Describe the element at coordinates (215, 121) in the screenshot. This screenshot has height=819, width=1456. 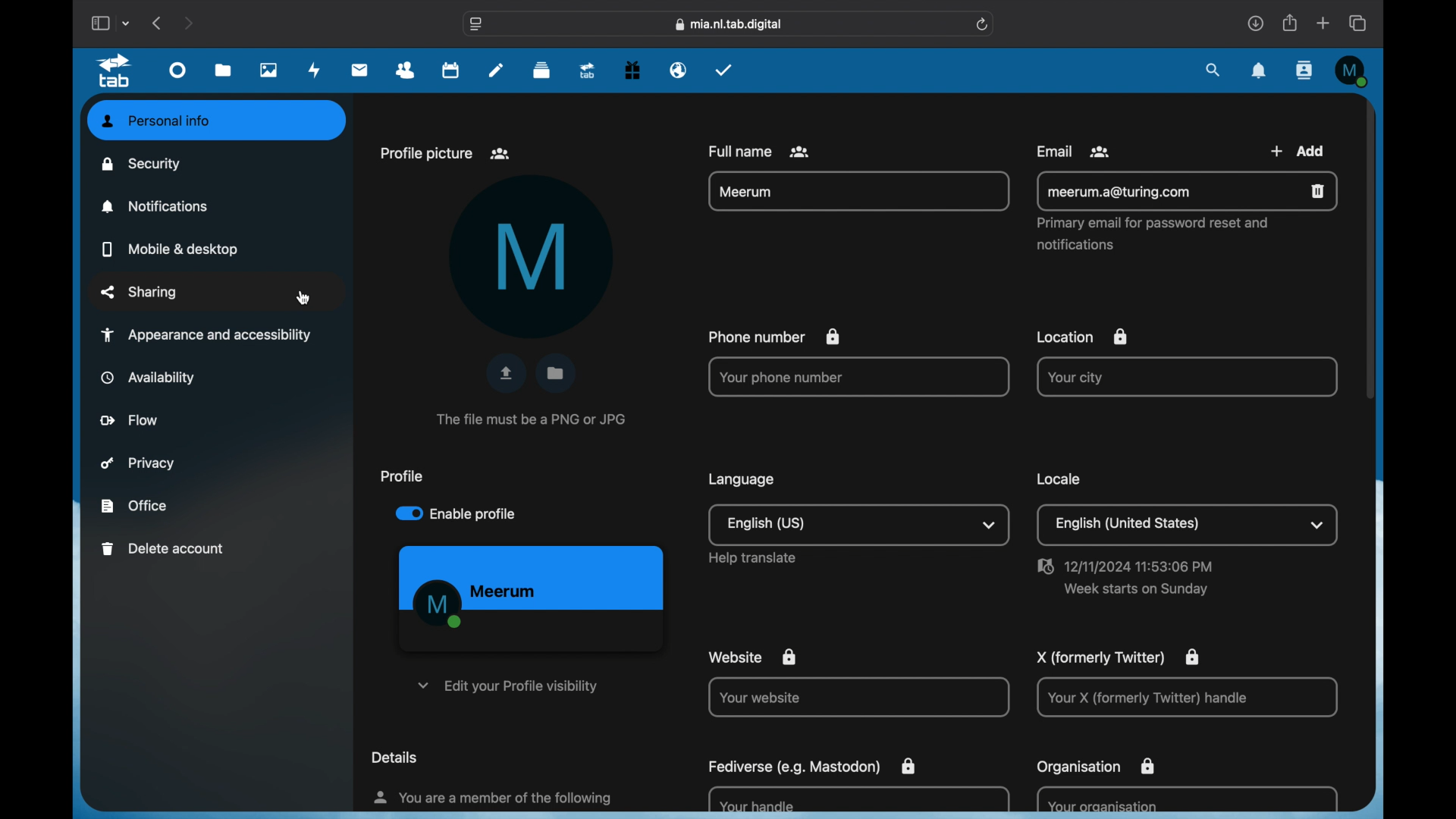
I see `personal info` at that location.